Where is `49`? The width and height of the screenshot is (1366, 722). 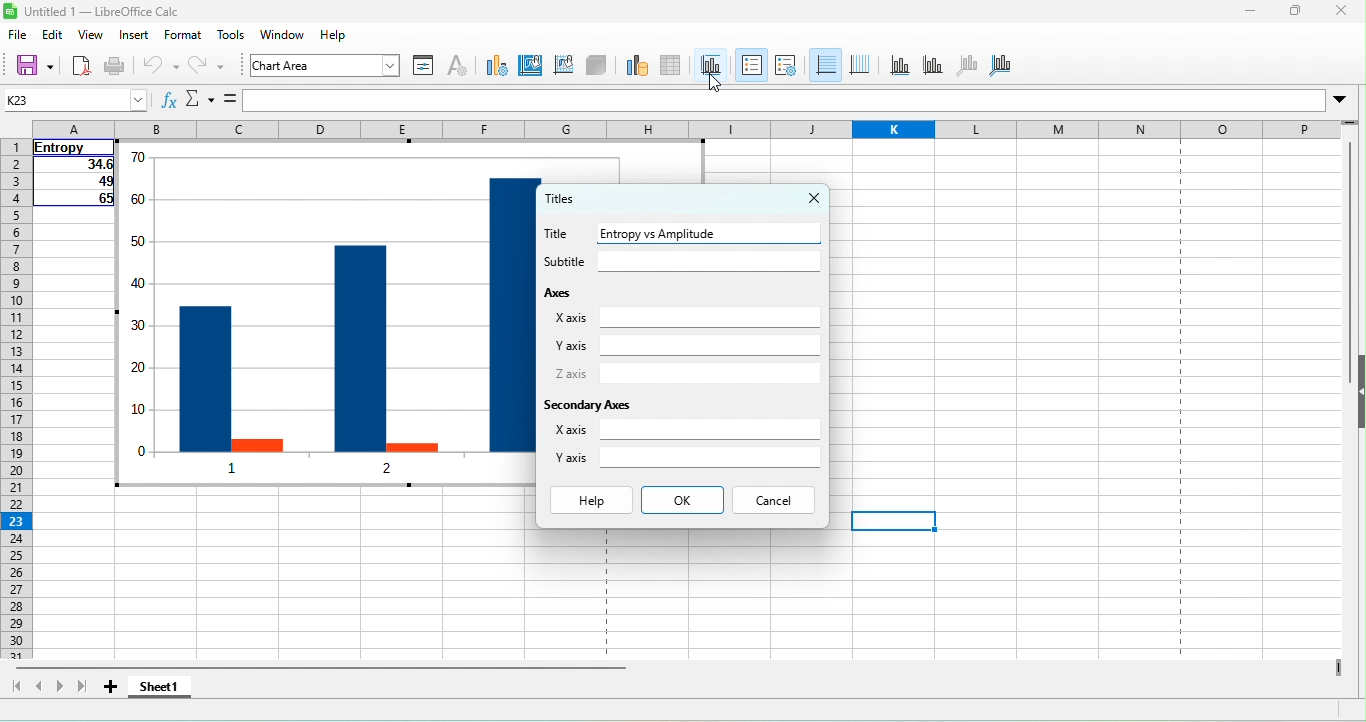 49 is located at coordinates (76, 183).